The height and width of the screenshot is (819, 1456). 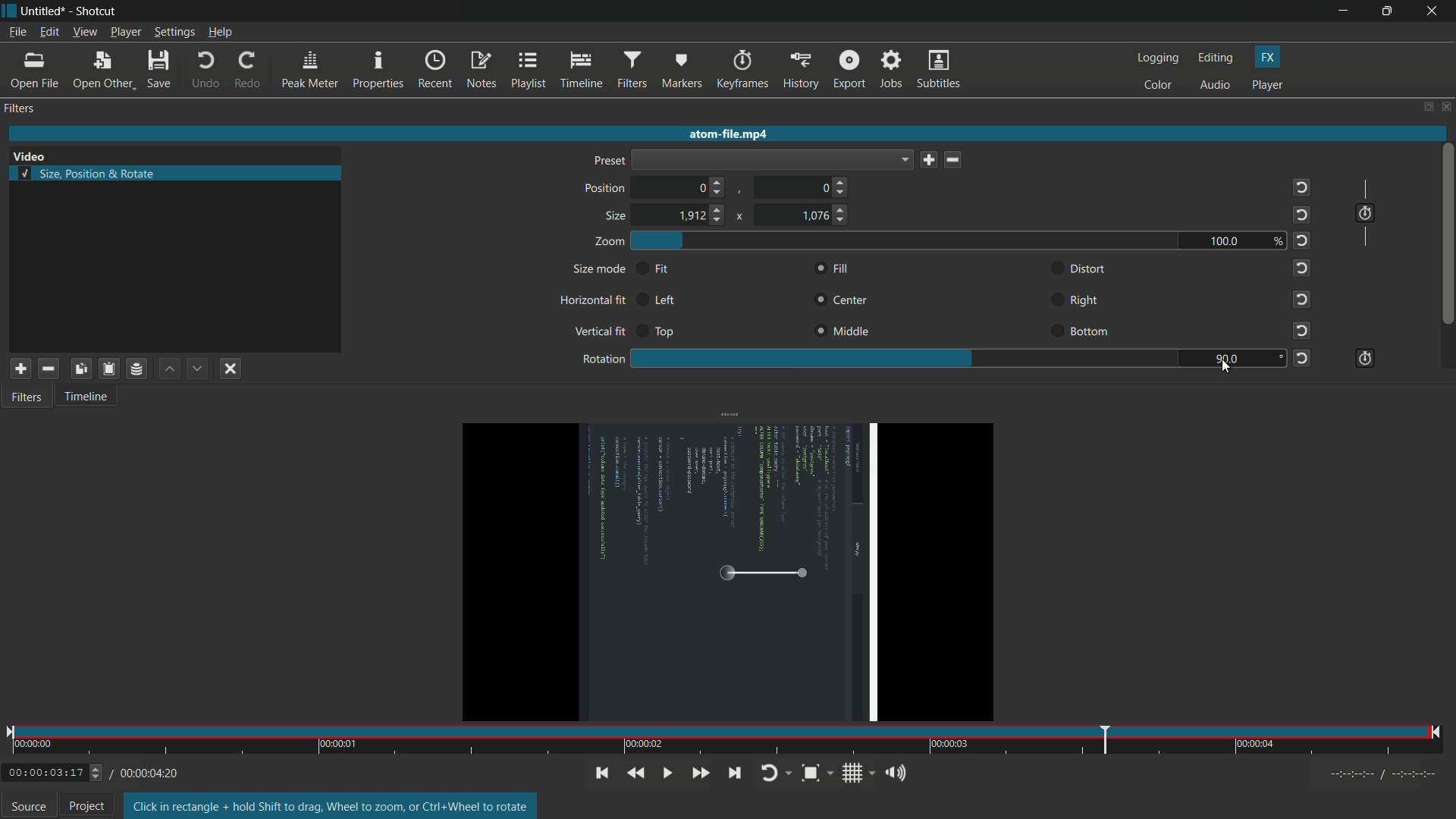 What do you see at coordinates (1368, 214) in the screenshot?
I see `use keyframes for this parameter` at bounding box center [1368, 214].